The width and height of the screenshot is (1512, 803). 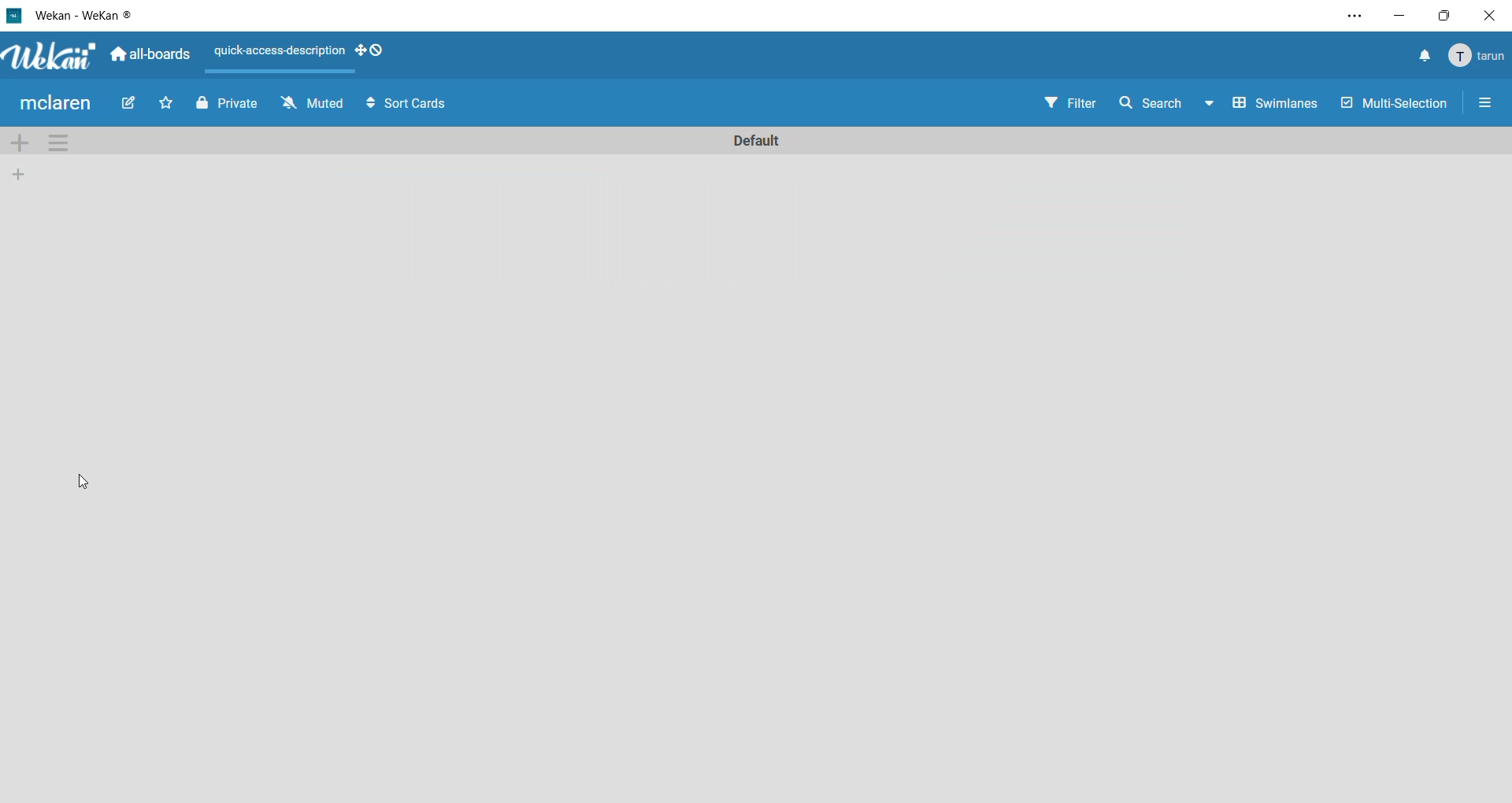 I want to click on swimlanes, so click(x=1277, y=103).